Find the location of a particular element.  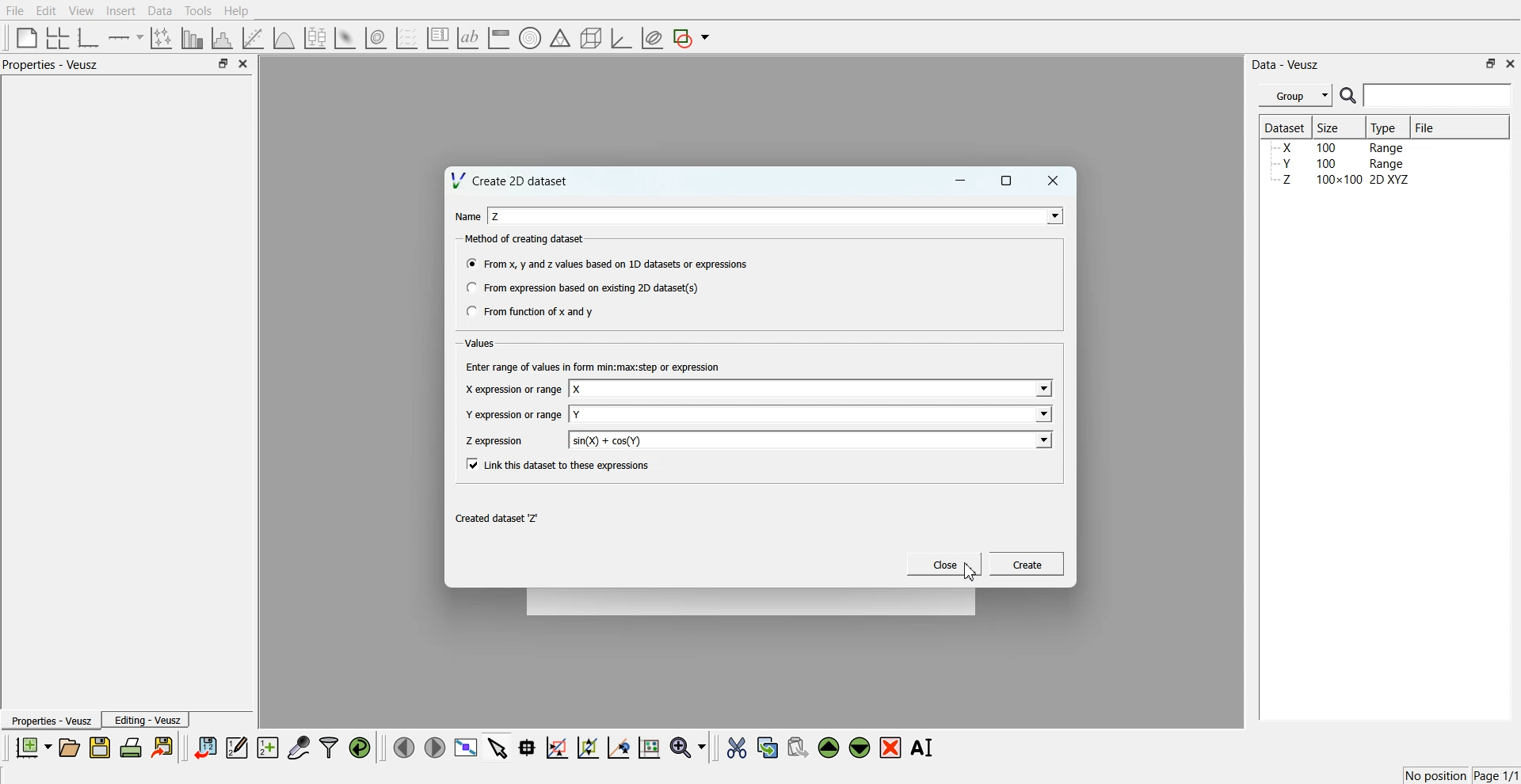

View plot full screen is located at coordinates (467, 747).